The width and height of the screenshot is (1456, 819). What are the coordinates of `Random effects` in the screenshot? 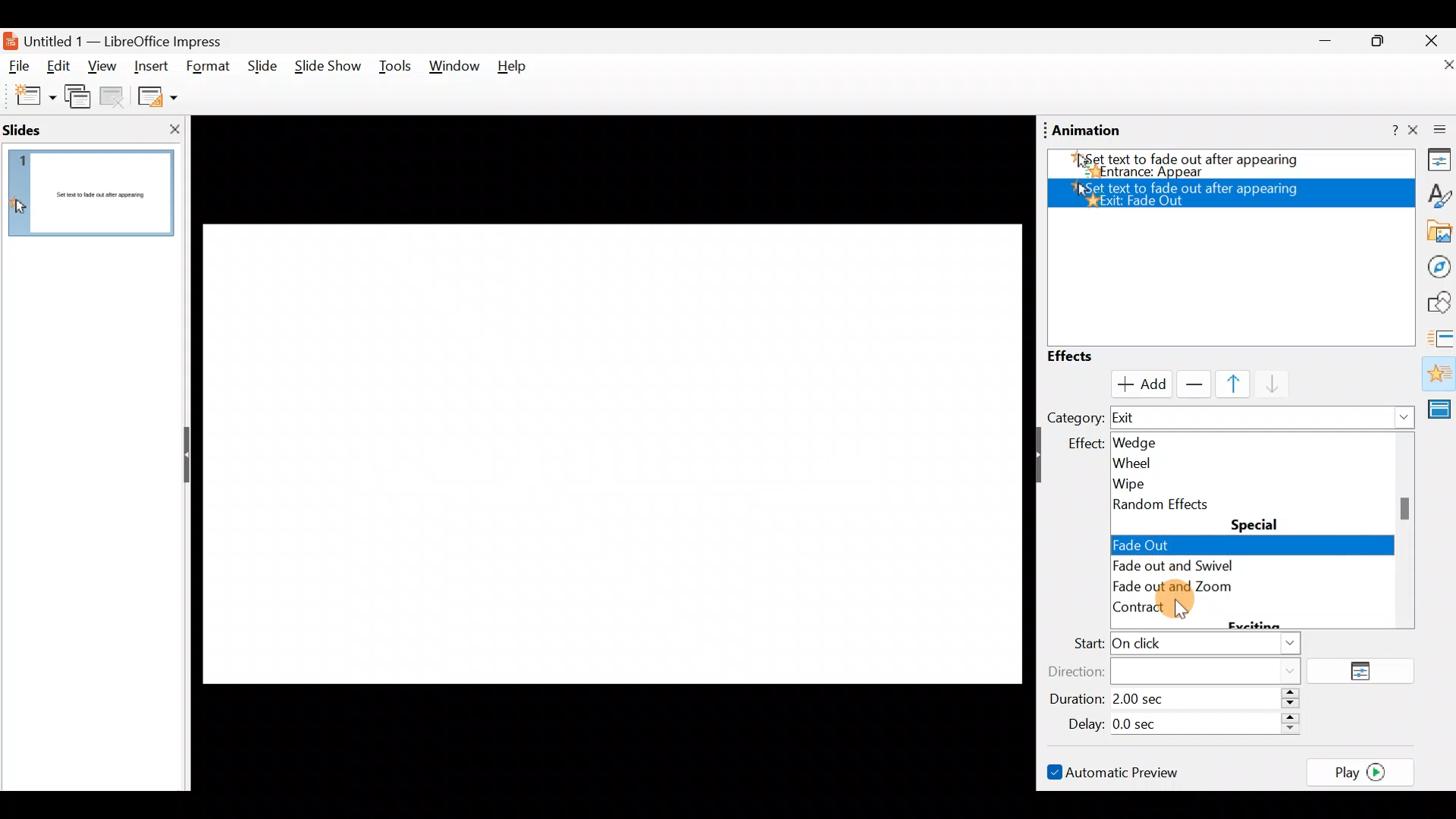 It's located at (1169, 504).